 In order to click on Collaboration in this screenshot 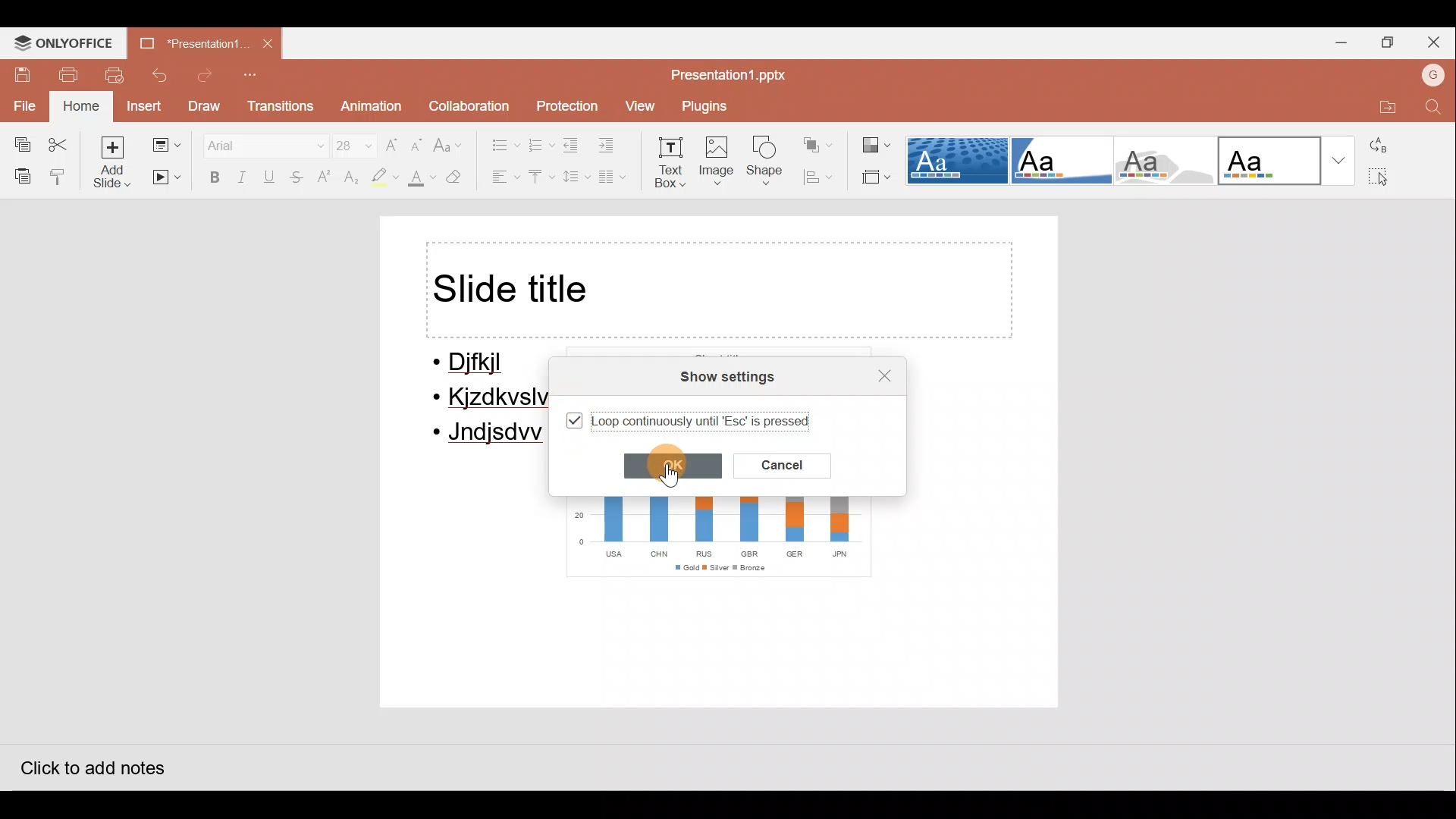, I will do `click(472, 104)`.